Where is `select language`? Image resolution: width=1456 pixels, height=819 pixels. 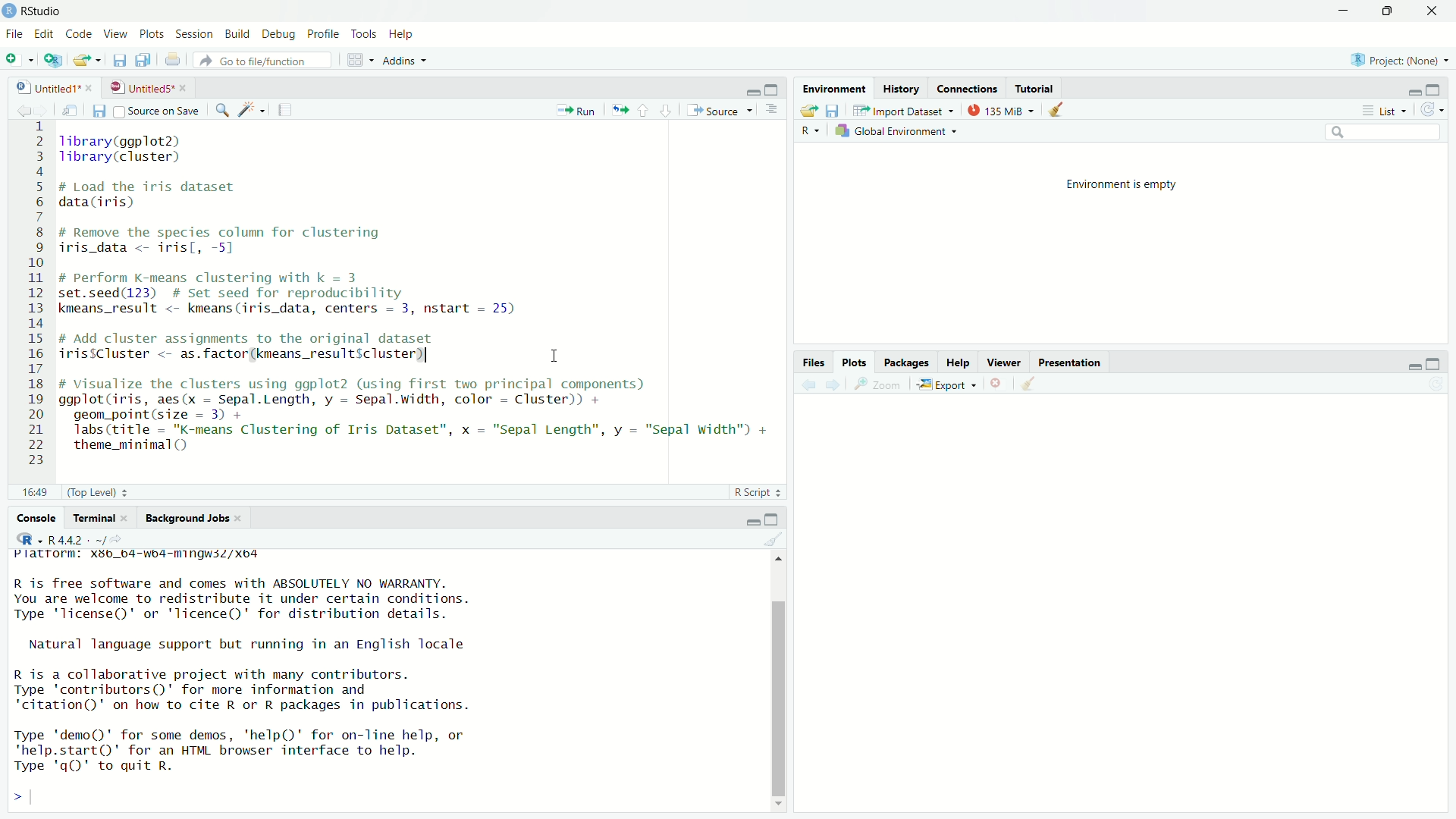 select language is located at coordinates (23, 540).